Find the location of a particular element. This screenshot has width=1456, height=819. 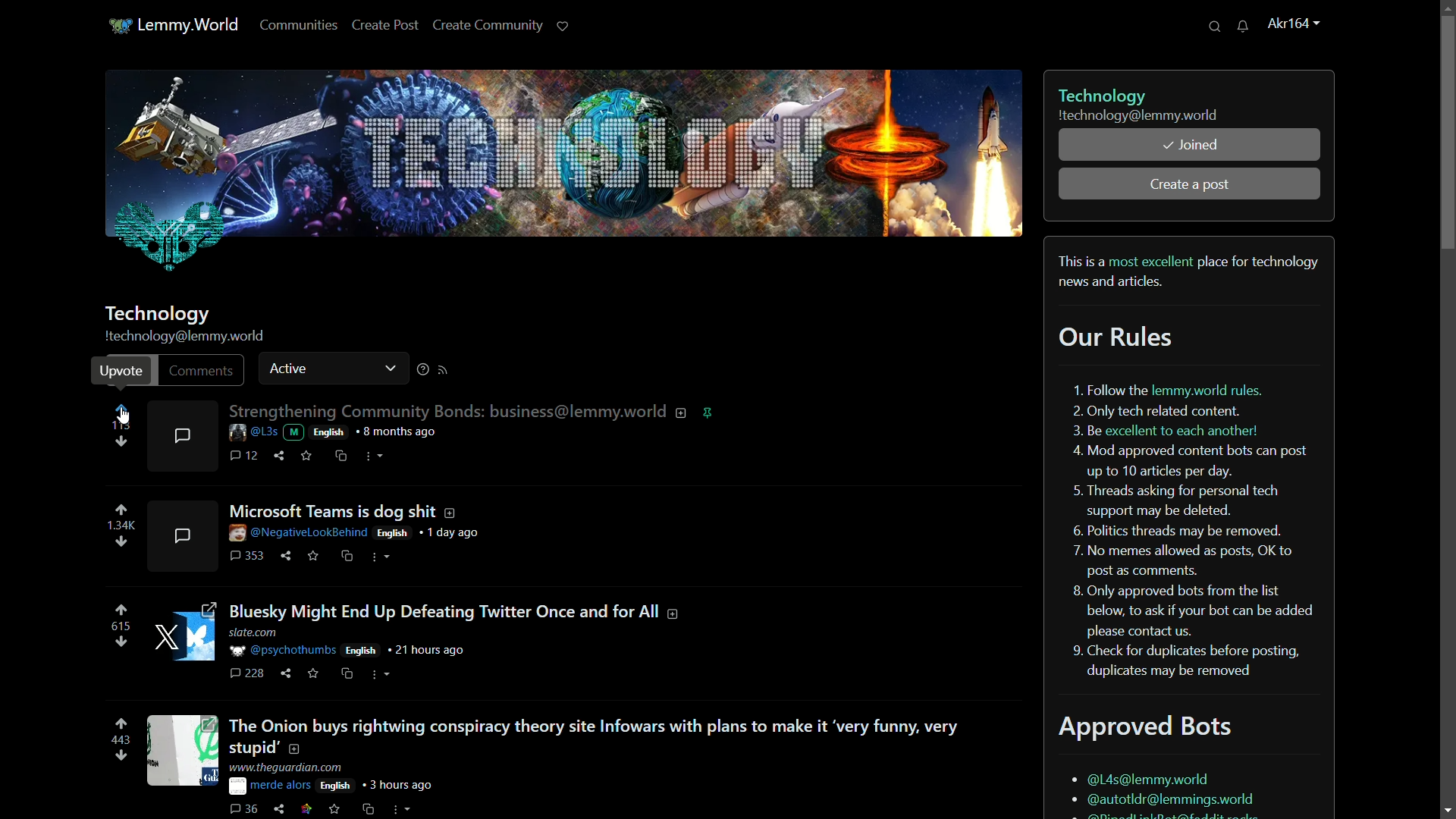

post details is located at coordinates (344, 776).